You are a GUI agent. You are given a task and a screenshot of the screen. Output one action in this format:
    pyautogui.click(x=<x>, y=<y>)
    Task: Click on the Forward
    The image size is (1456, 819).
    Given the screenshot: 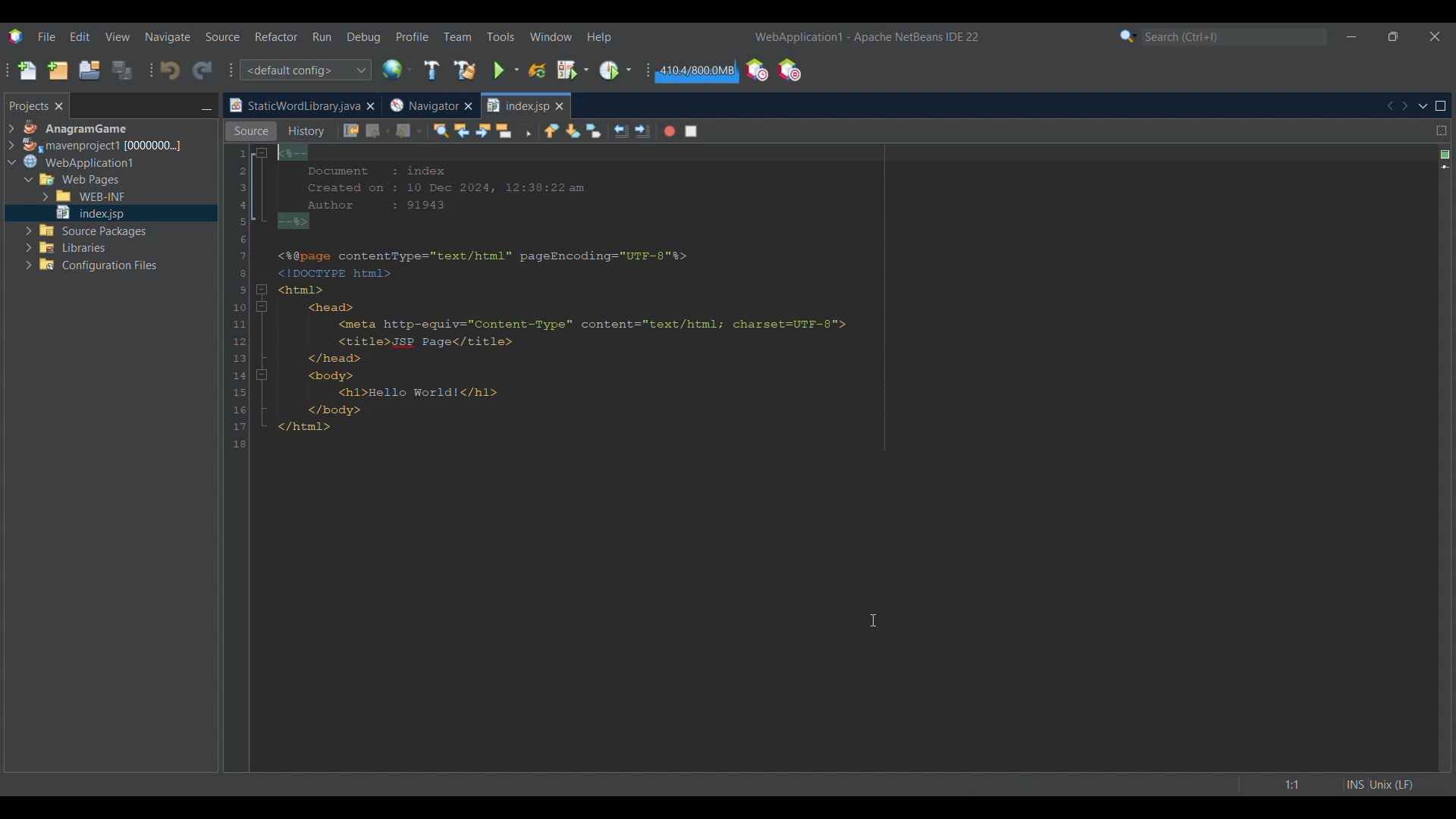 What is the action you would take?
    pyautogui.click(x=409, y=131)
    